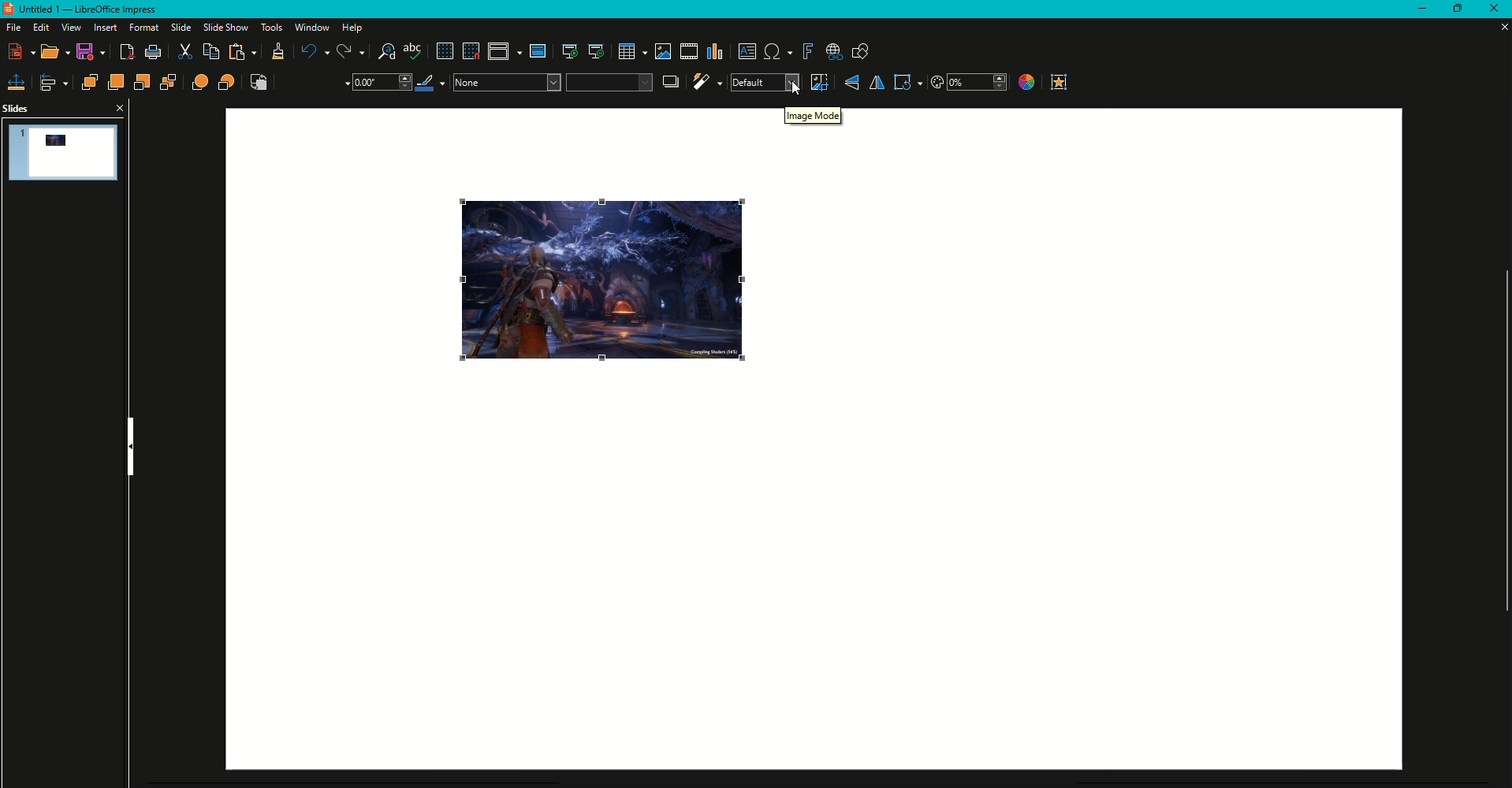  I want to click on Horizontal, so click(876, 83).